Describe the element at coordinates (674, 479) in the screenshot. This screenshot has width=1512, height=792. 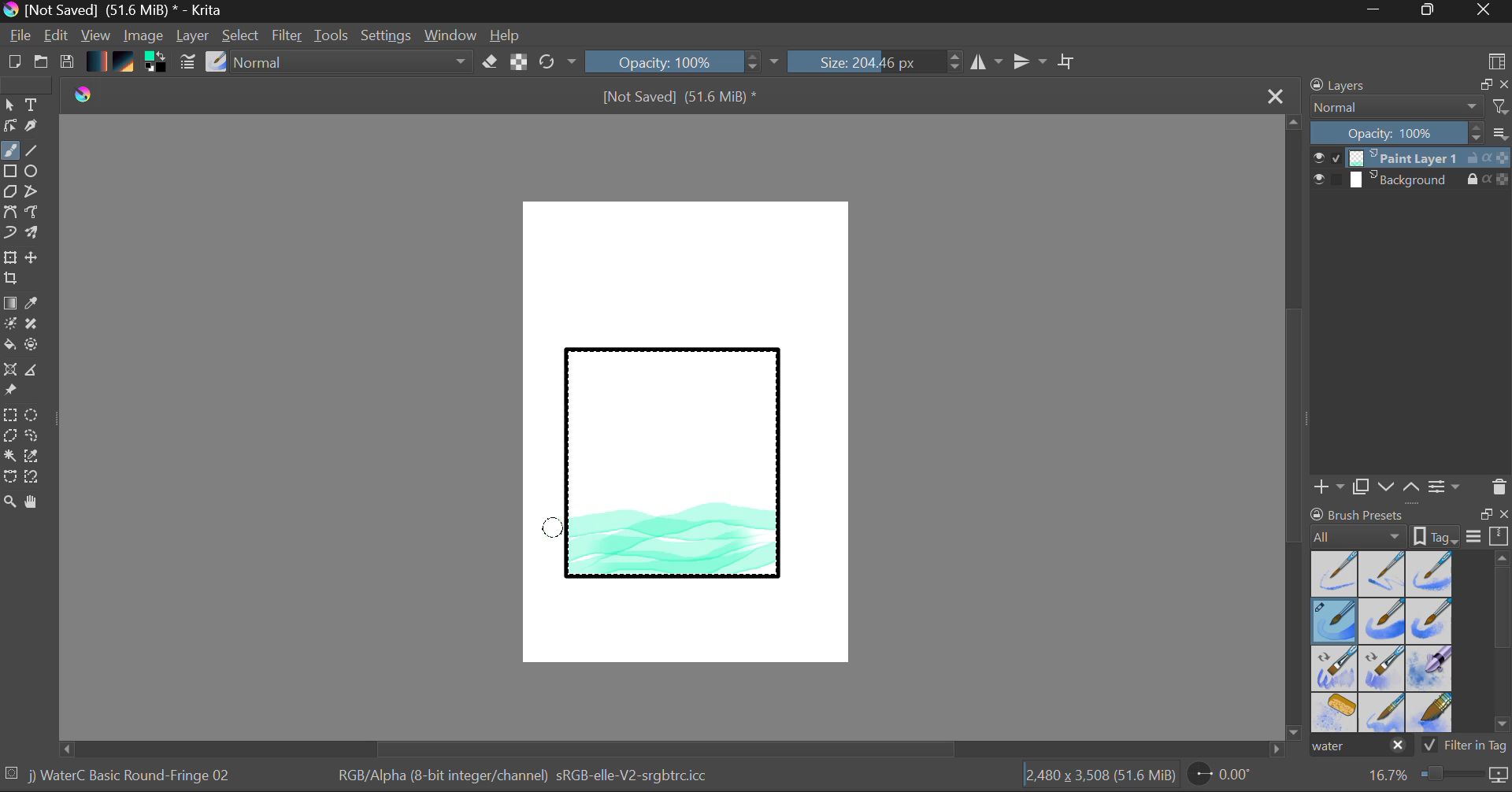
I see `Rectangle Shape Selected` at that location.